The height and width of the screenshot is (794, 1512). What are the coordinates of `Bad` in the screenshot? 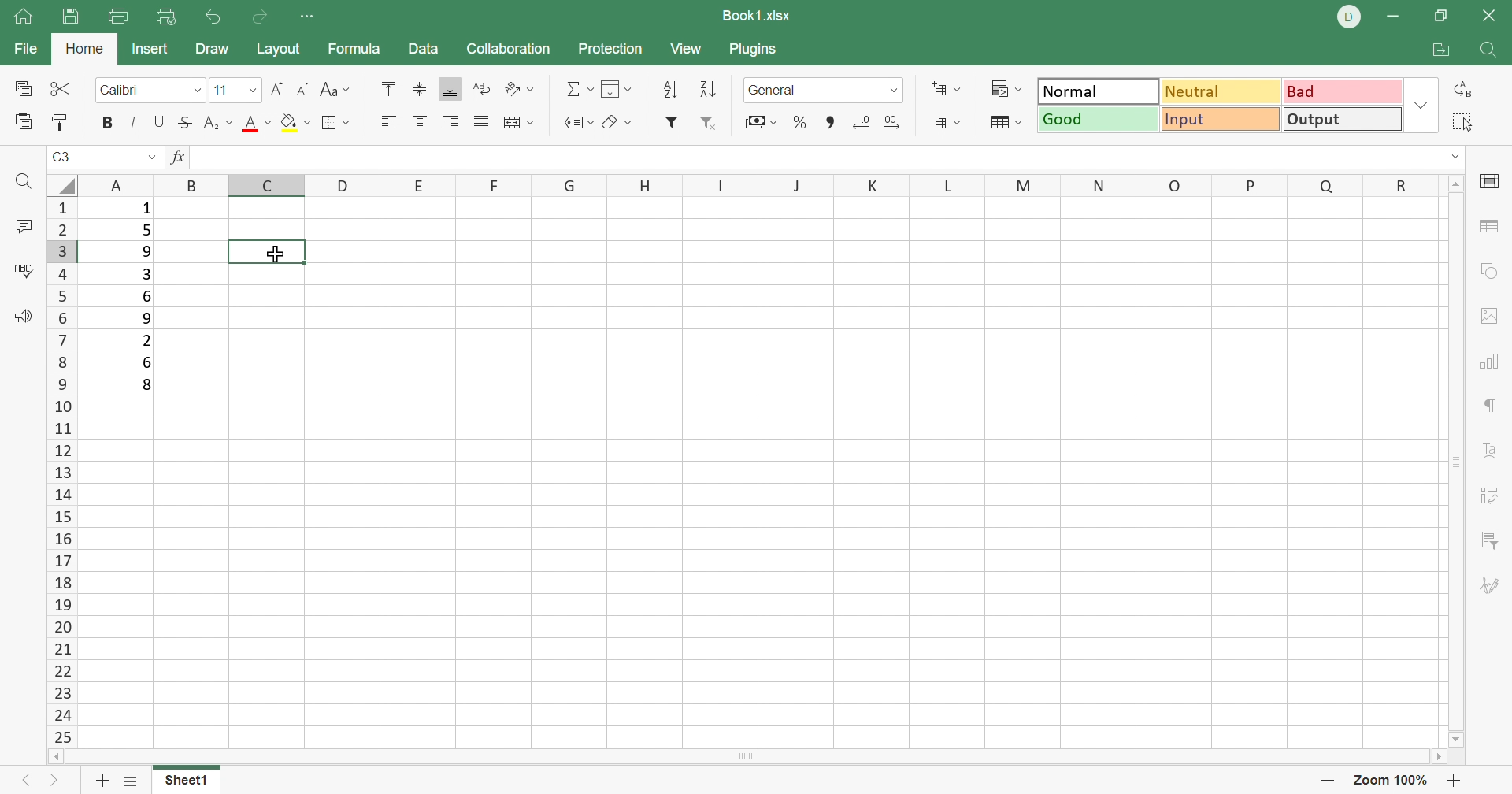 It's located at (1339, 91).